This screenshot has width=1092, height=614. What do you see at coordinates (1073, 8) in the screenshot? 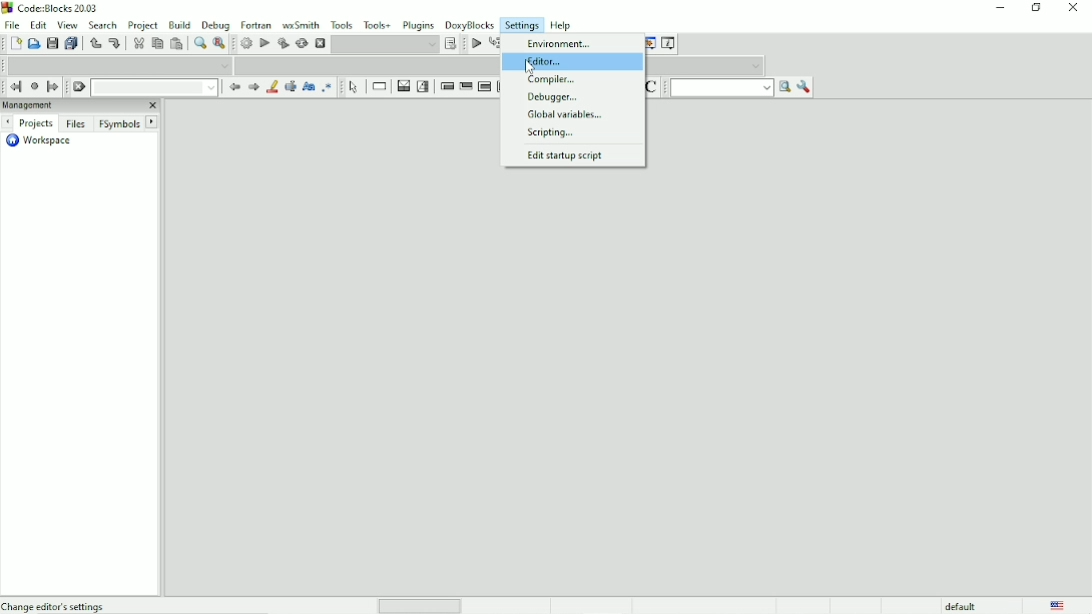
I see `Close` at bounding box center [1073, 8].